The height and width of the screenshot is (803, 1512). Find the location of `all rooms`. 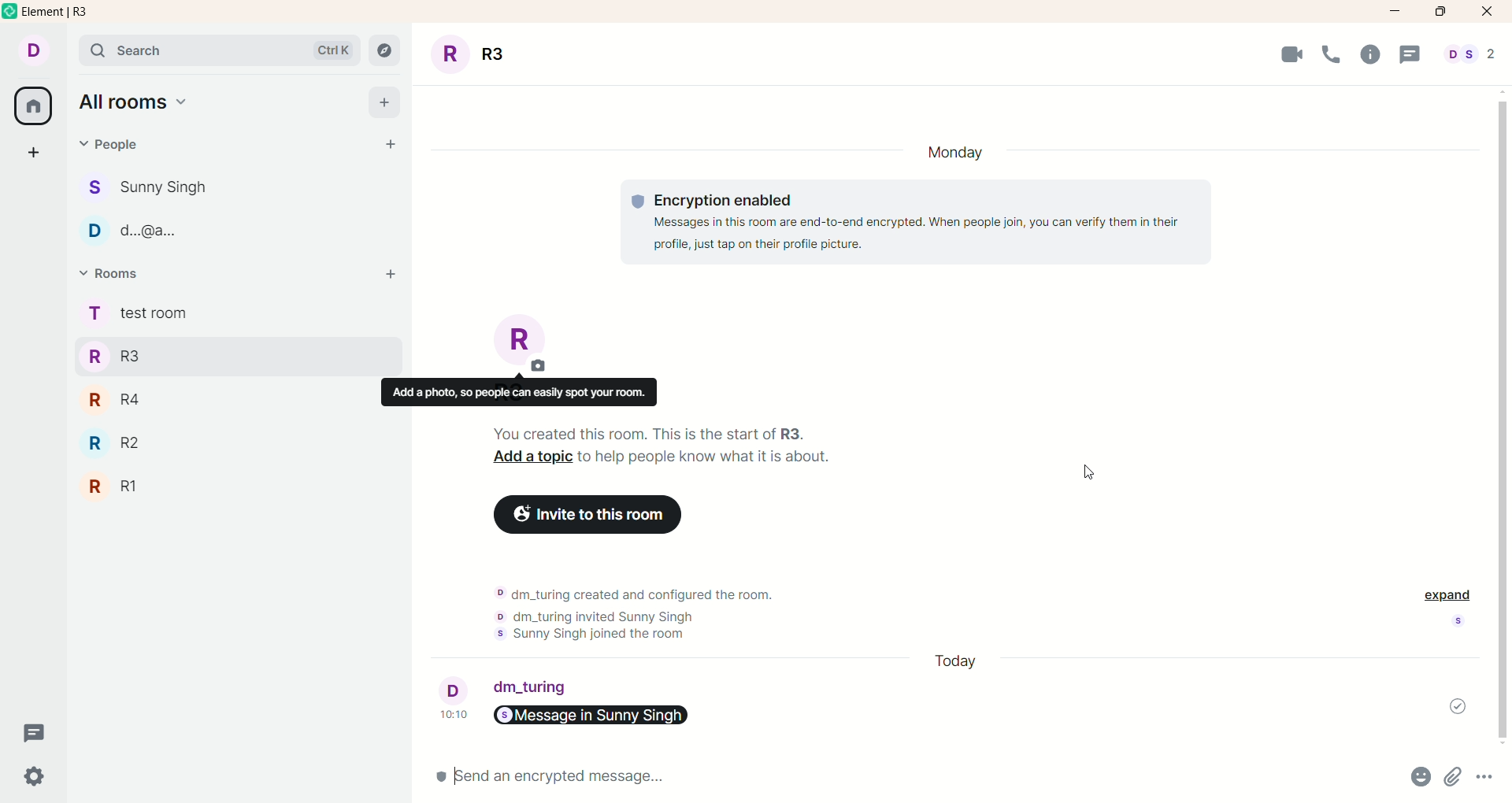

all rooms is located at coordinates (31, 109).